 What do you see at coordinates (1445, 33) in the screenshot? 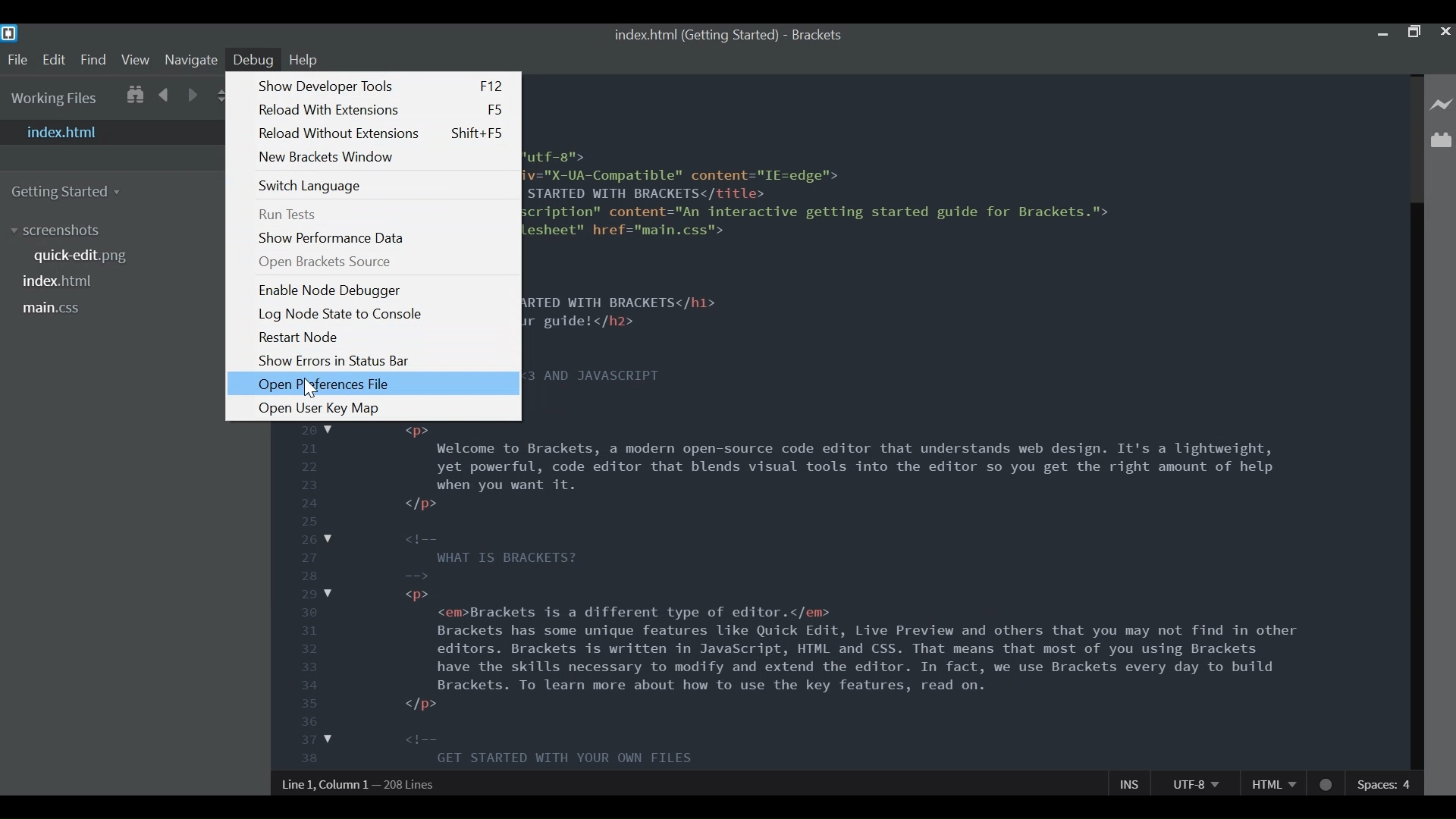
I see `Close` at bounding box center [1445, 33].